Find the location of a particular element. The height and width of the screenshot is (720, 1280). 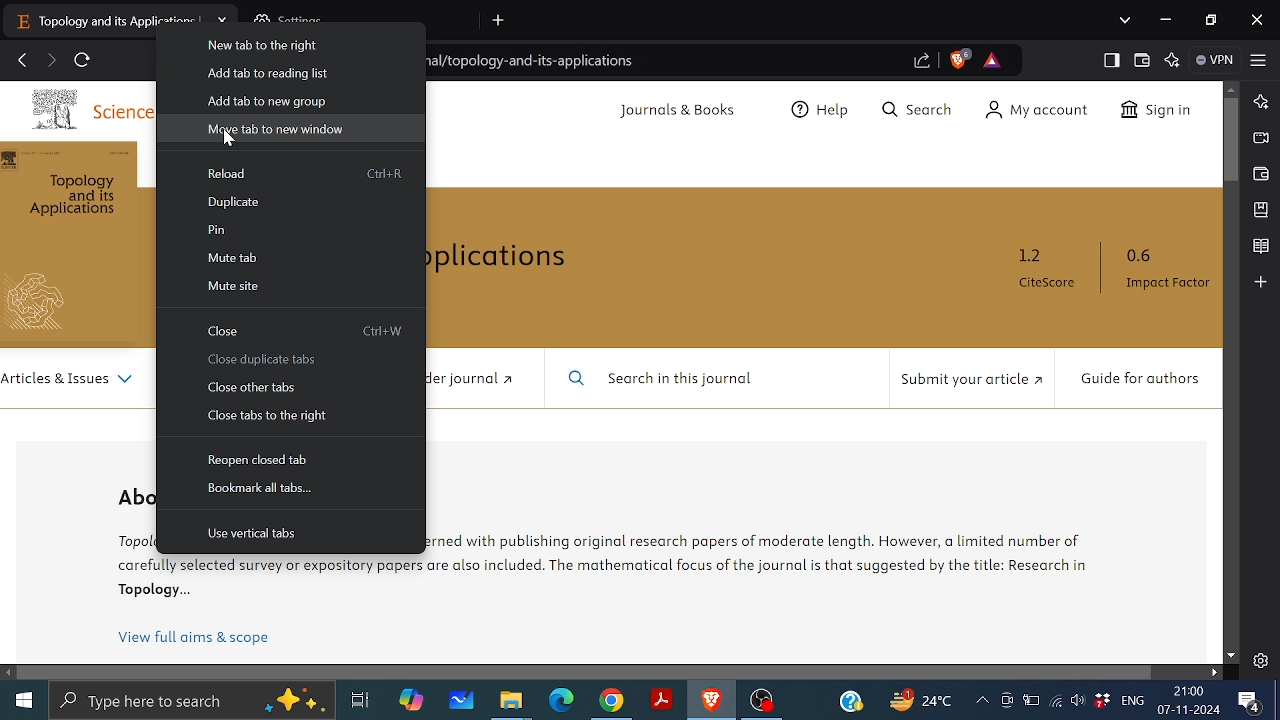

Go back is located at coordinates (23, 59).